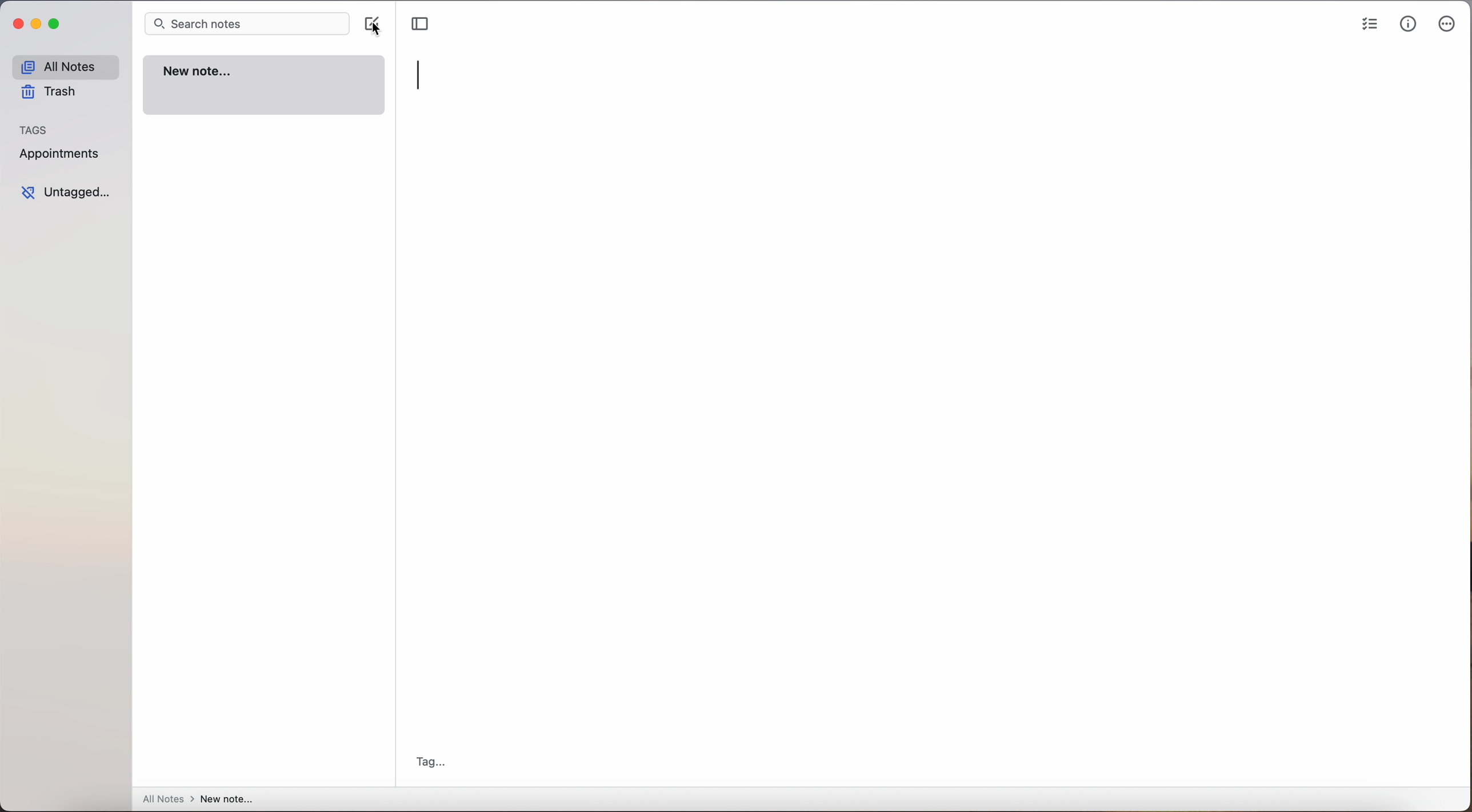 The width and height of the screenshot is (1472, 812). Describe the element at coordinates (71, 193) in the screenshot. I see `untagged` at that location.